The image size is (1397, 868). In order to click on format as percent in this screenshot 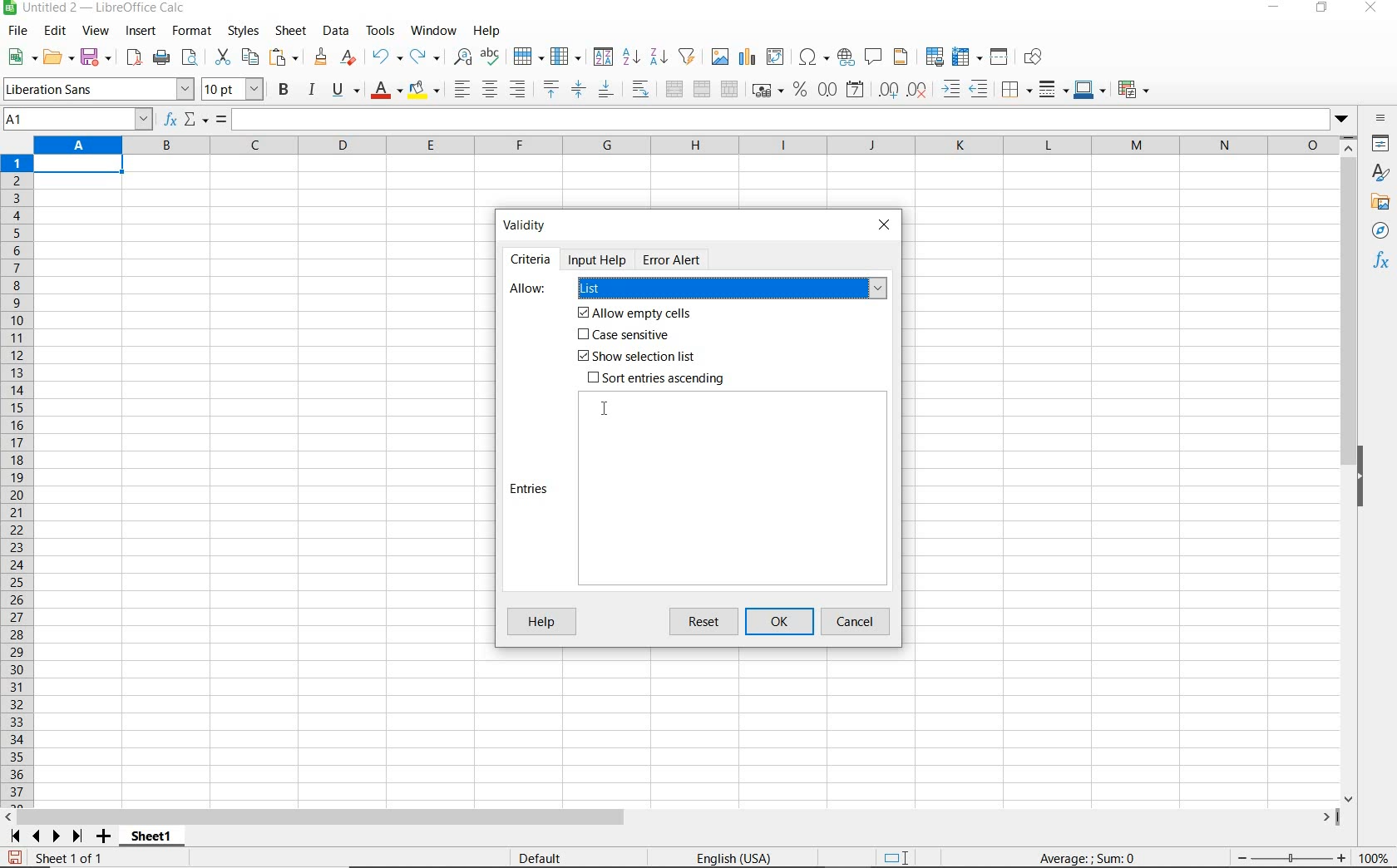, I will do `click(800, 90)`.